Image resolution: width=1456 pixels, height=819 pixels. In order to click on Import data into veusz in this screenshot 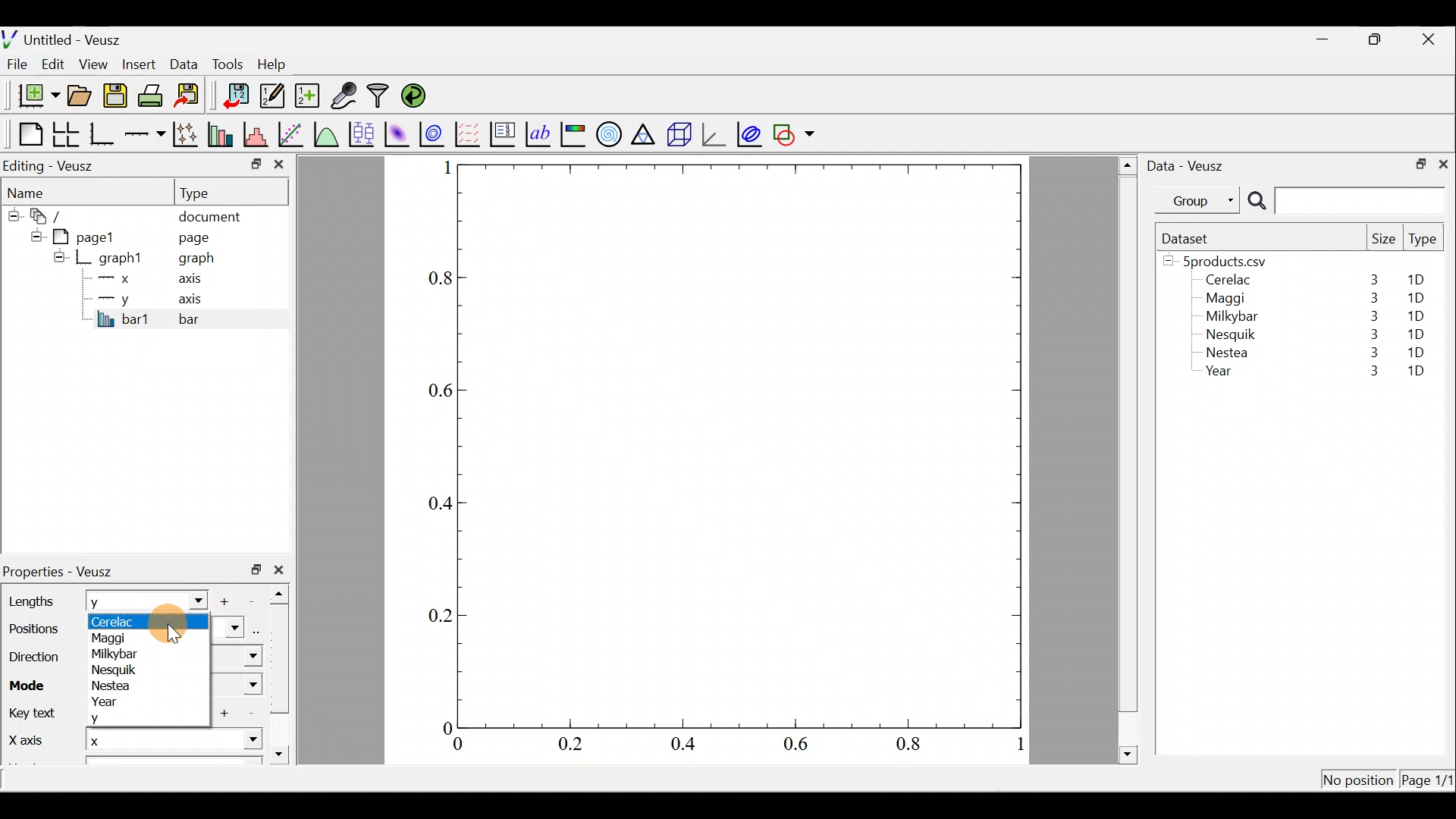, I will do `click(237, 96)`.